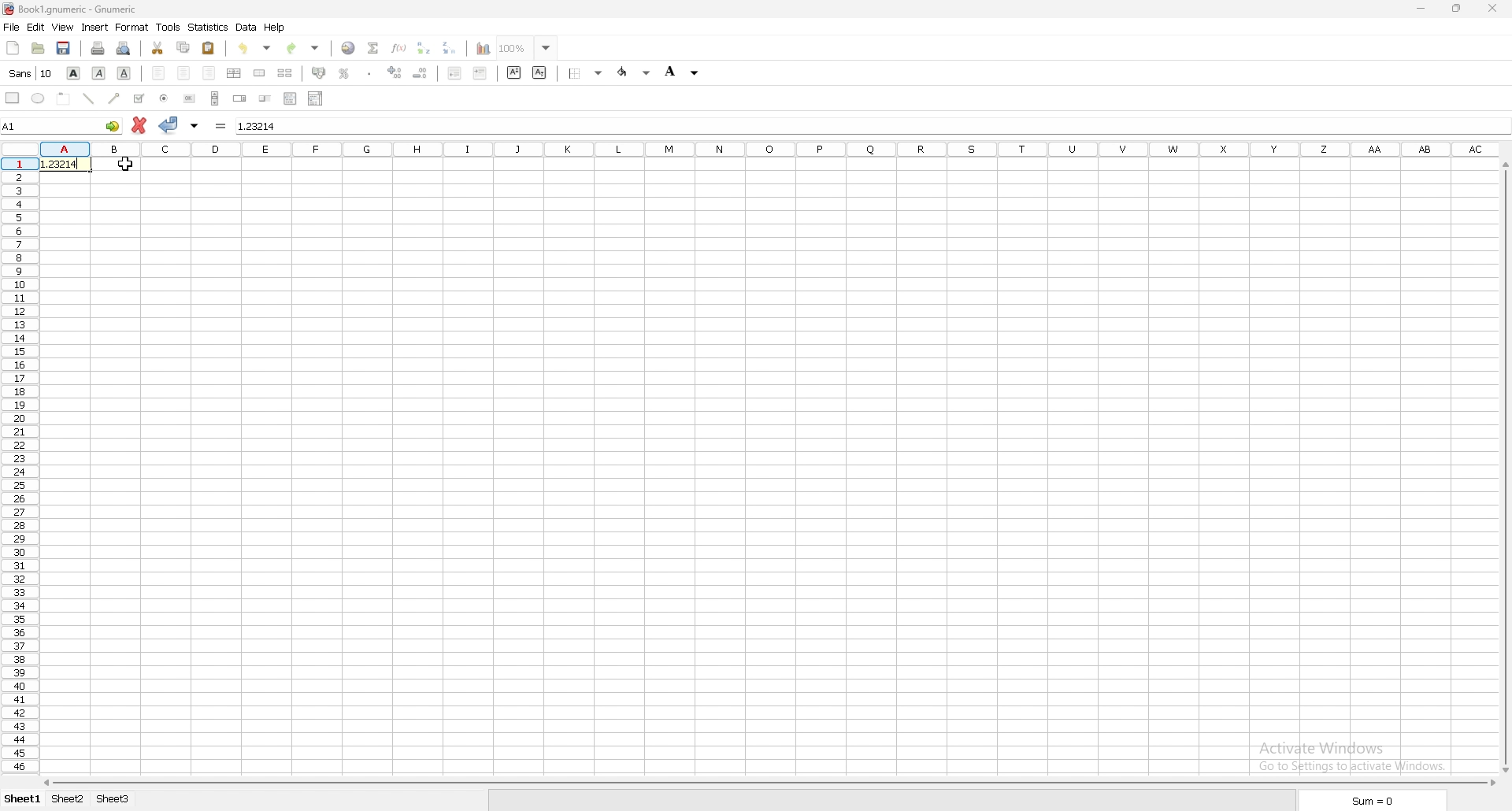 Image resolution: width=1512 pixels, height=811 pixels. Describe the element at coordinates (132, 27) in the screenshot. I see `format` at that location.